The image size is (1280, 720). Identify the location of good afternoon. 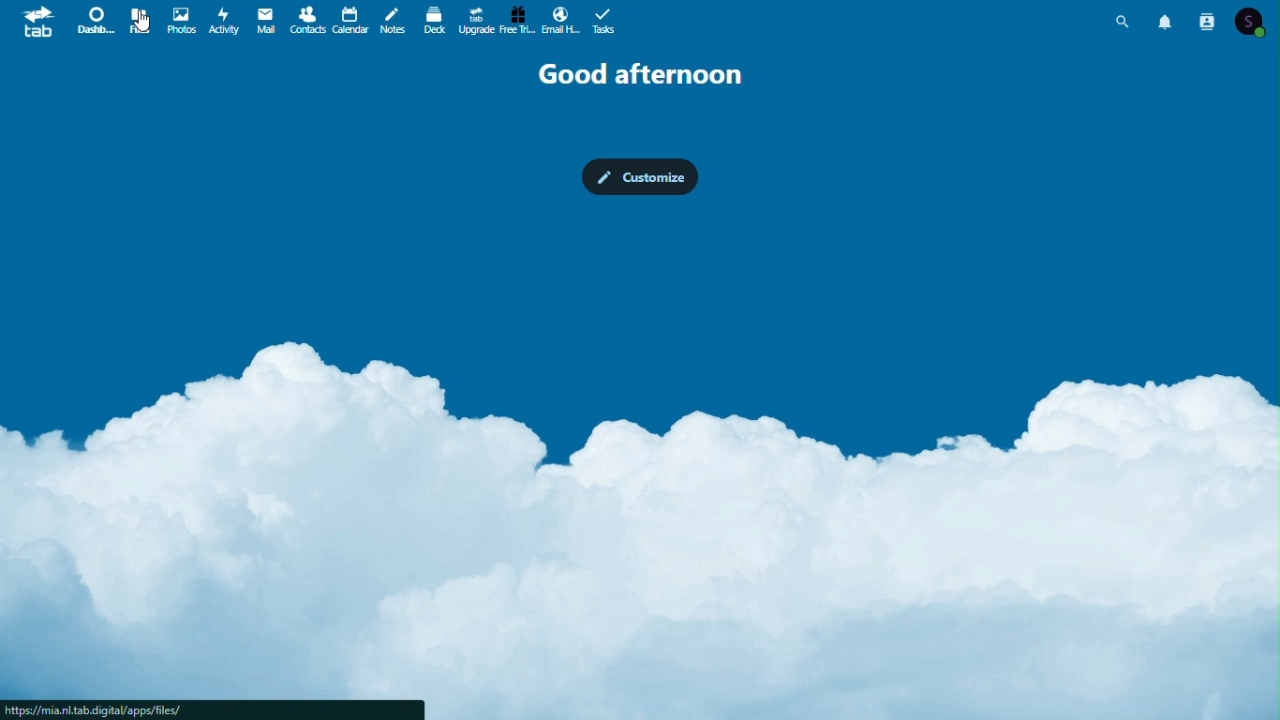
(648, 75).